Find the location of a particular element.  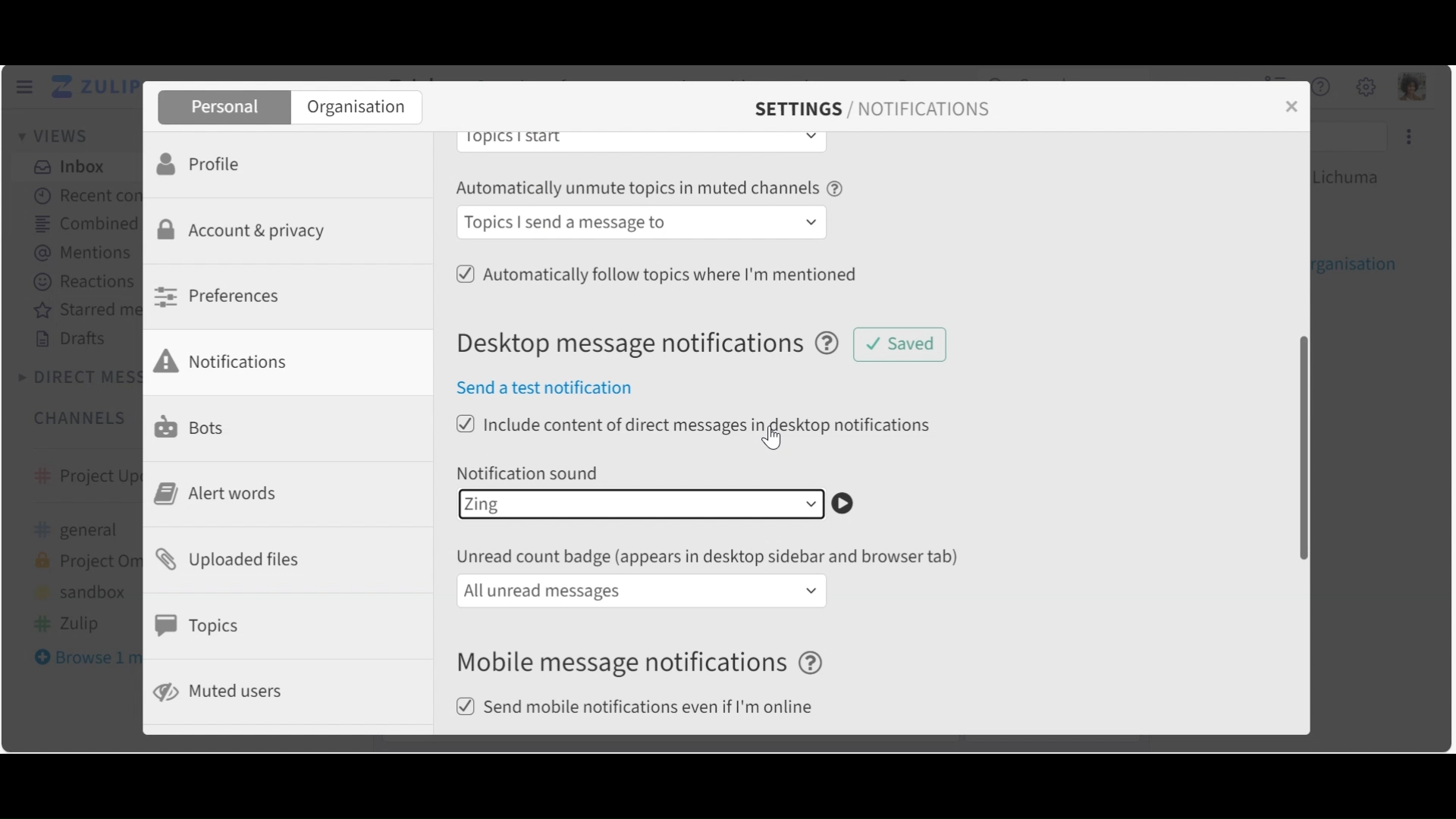

Organisation is located at coordinates (356, 108).